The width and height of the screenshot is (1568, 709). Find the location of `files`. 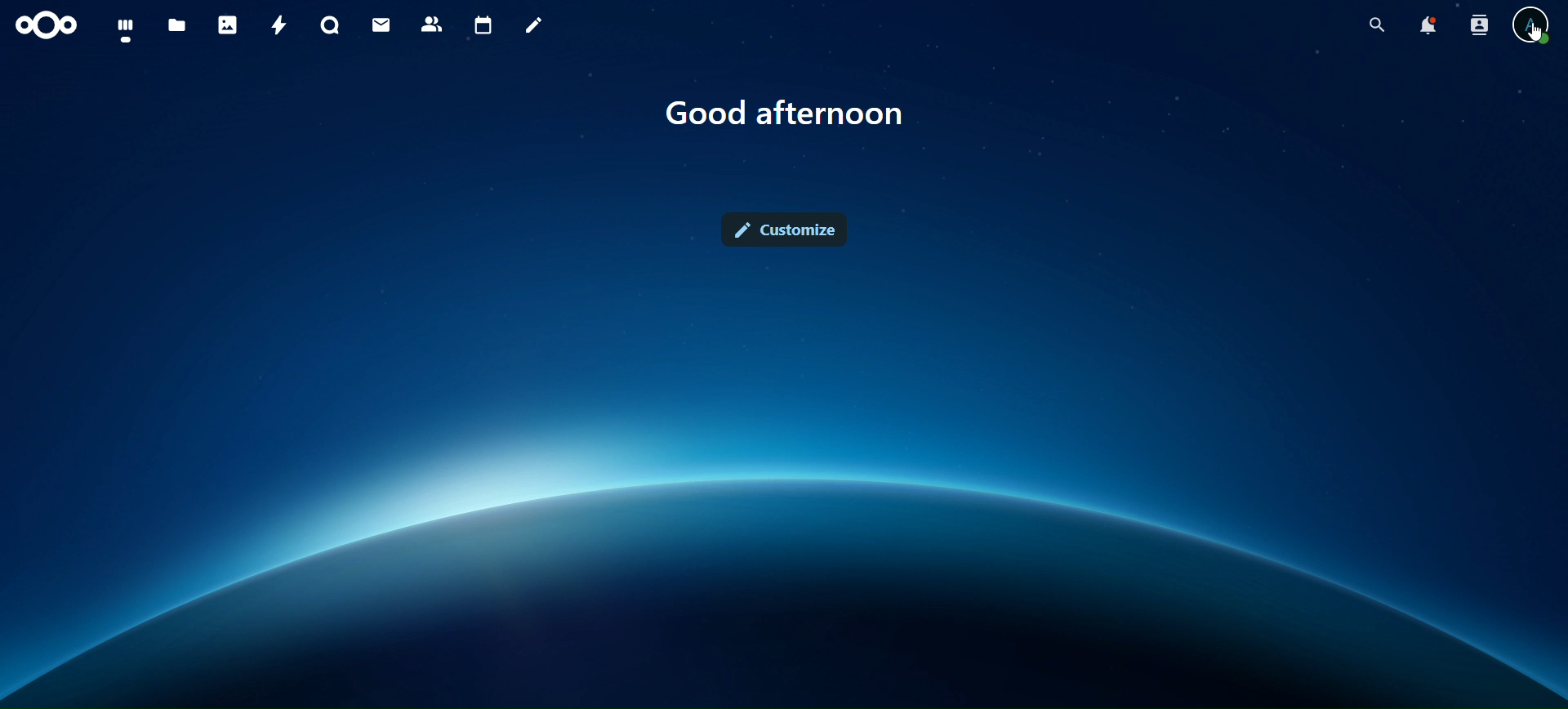

files is located at coordinates (178, 26).